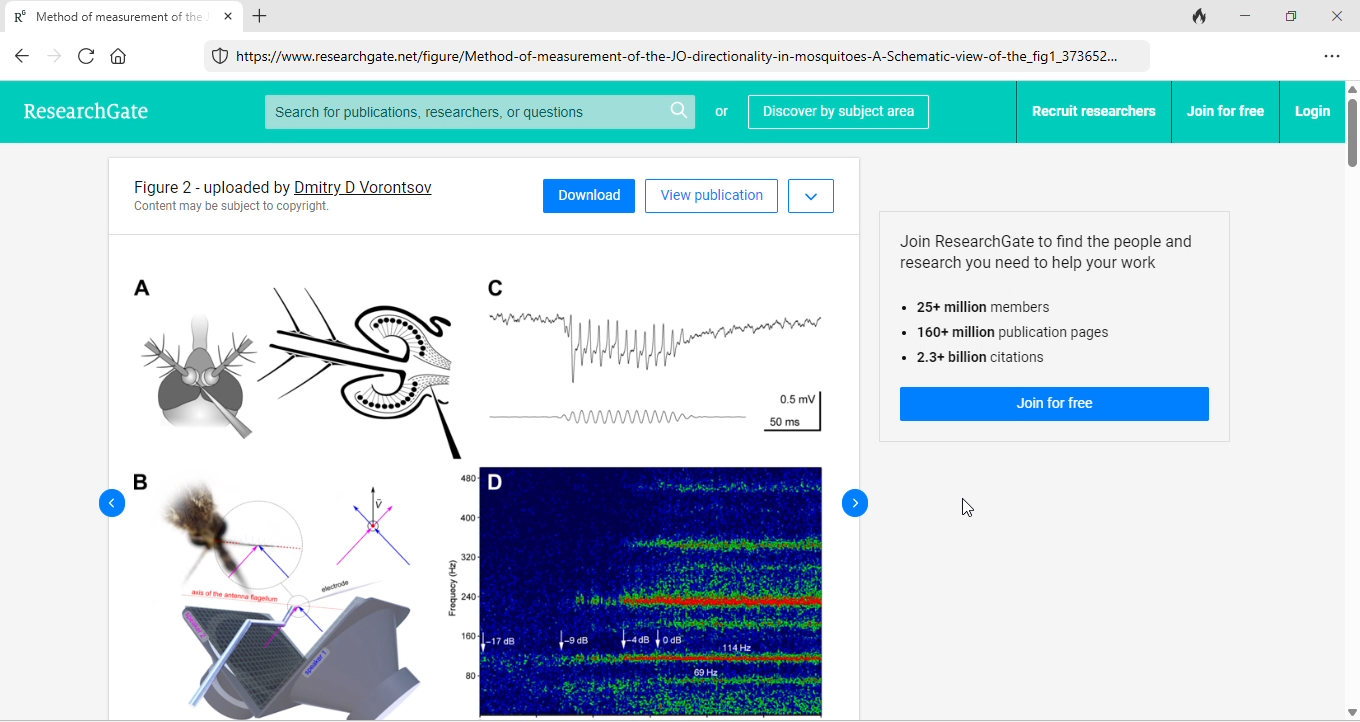 The width and height of the screenshot is (1360, 722). I want to click on join for free, so click(1224, 111).